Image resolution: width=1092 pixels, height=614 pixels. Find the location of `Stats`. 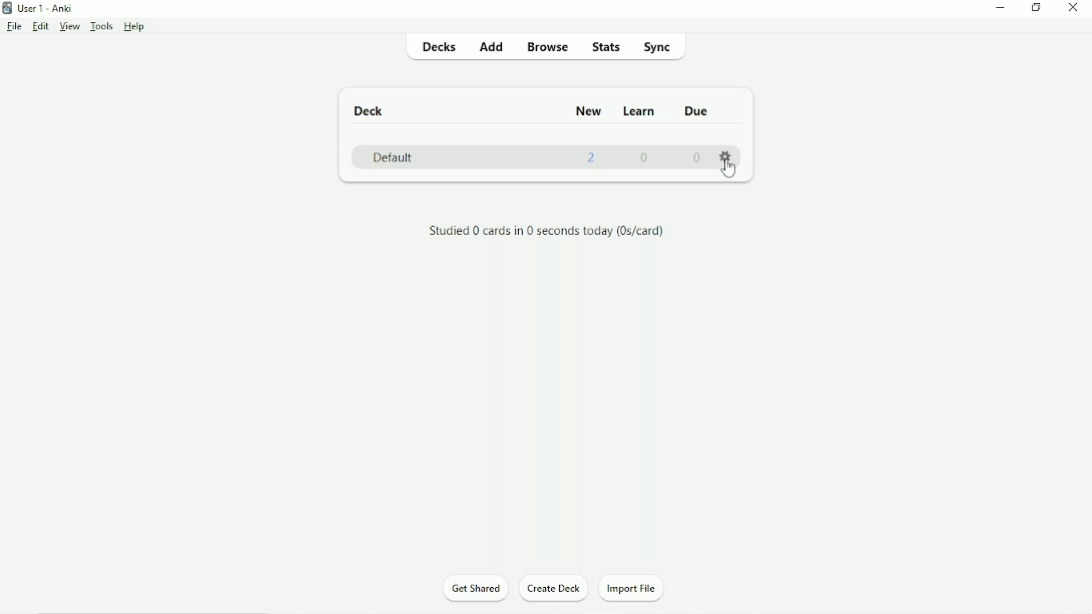

Stats is located at coordinates (608, 46).